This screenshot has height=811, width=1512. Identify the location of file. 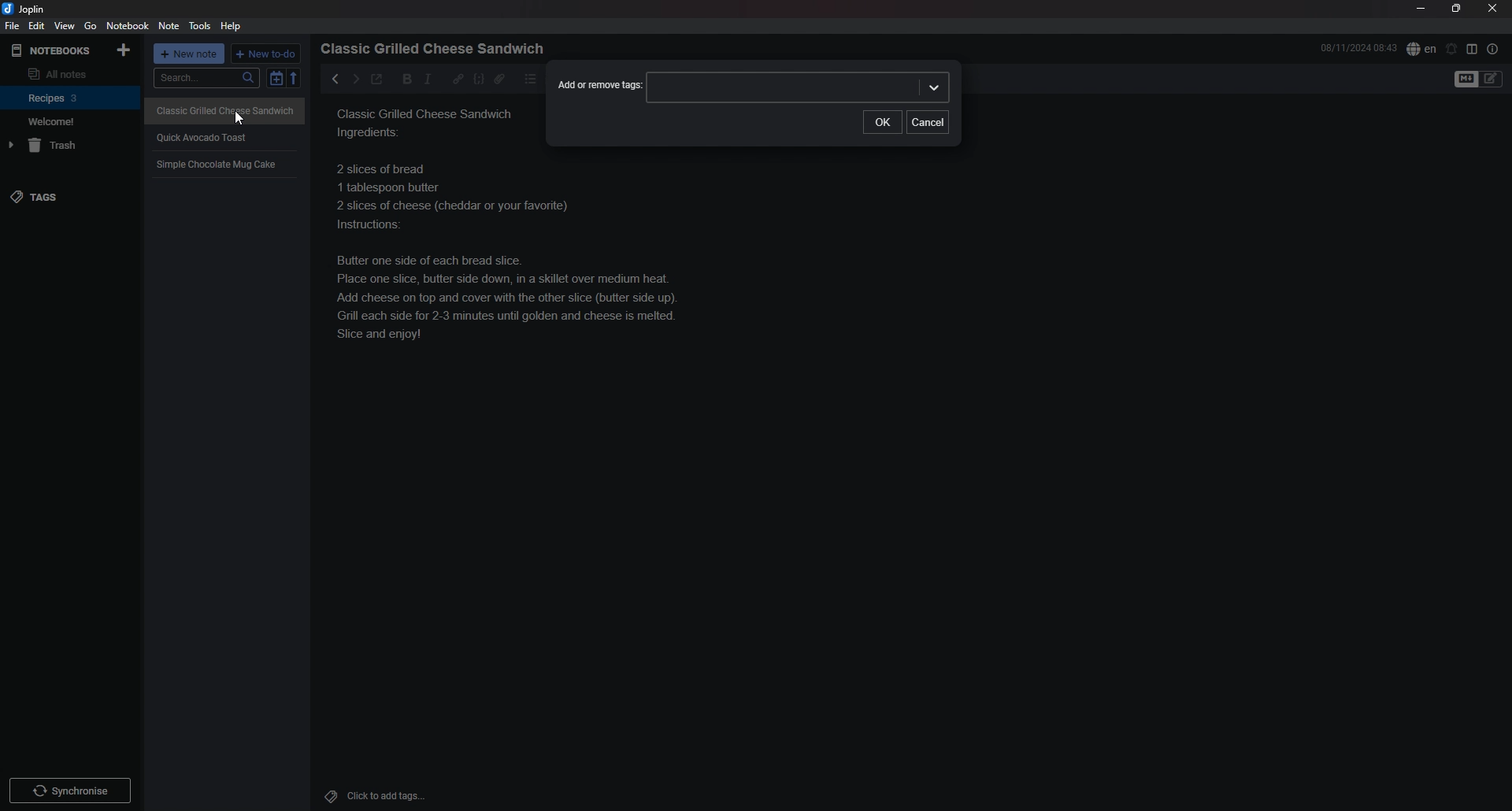
(11, 25).